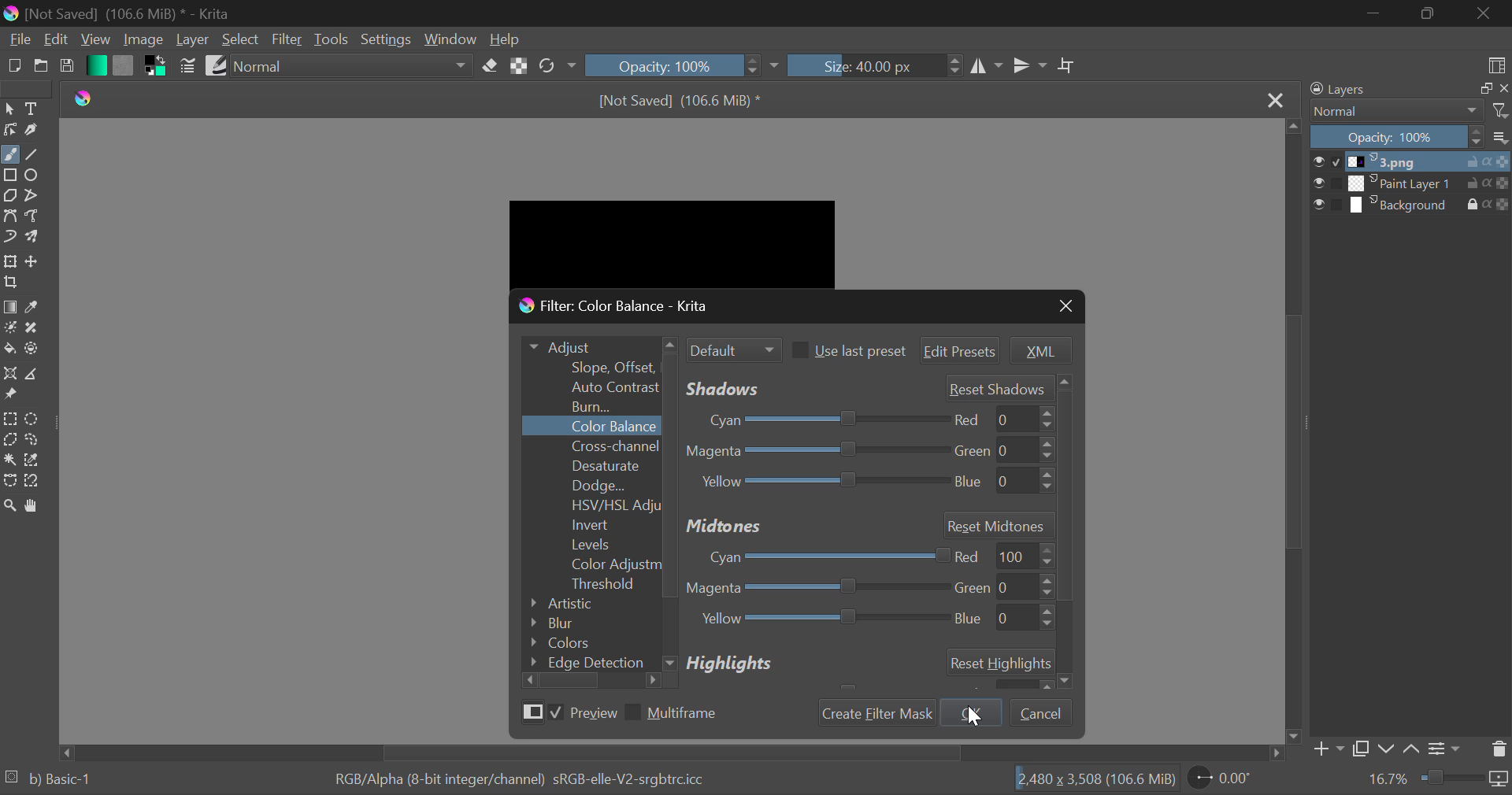  Describe the element at coordinates (1389, 748) in the screenshot. I see `Move Layer Down` at that location.